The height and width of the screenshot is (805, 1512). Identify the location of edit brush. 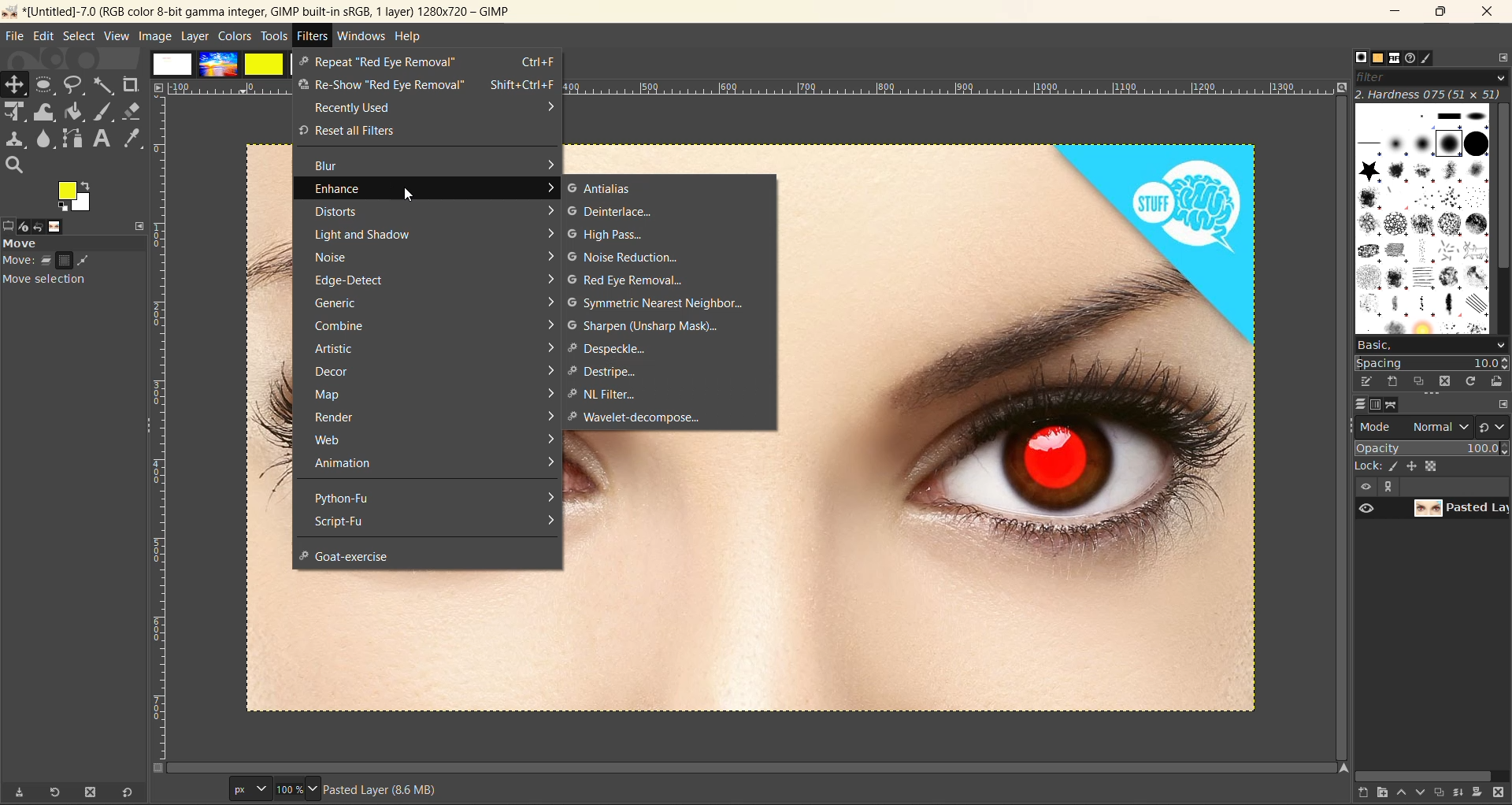
(1368, 382).